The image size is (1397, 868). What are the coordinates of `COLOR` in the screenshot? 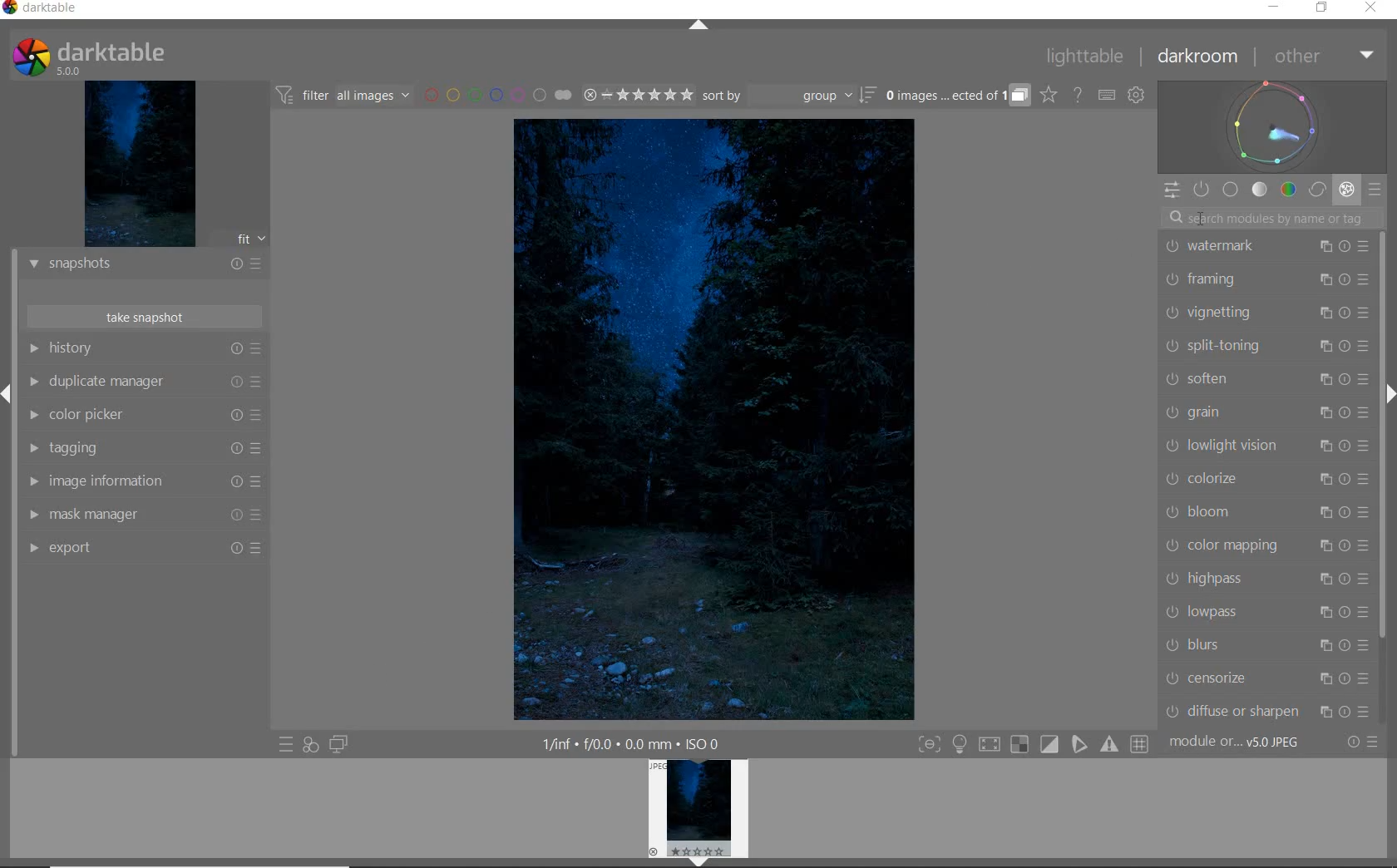 It's located at (1291, 190).